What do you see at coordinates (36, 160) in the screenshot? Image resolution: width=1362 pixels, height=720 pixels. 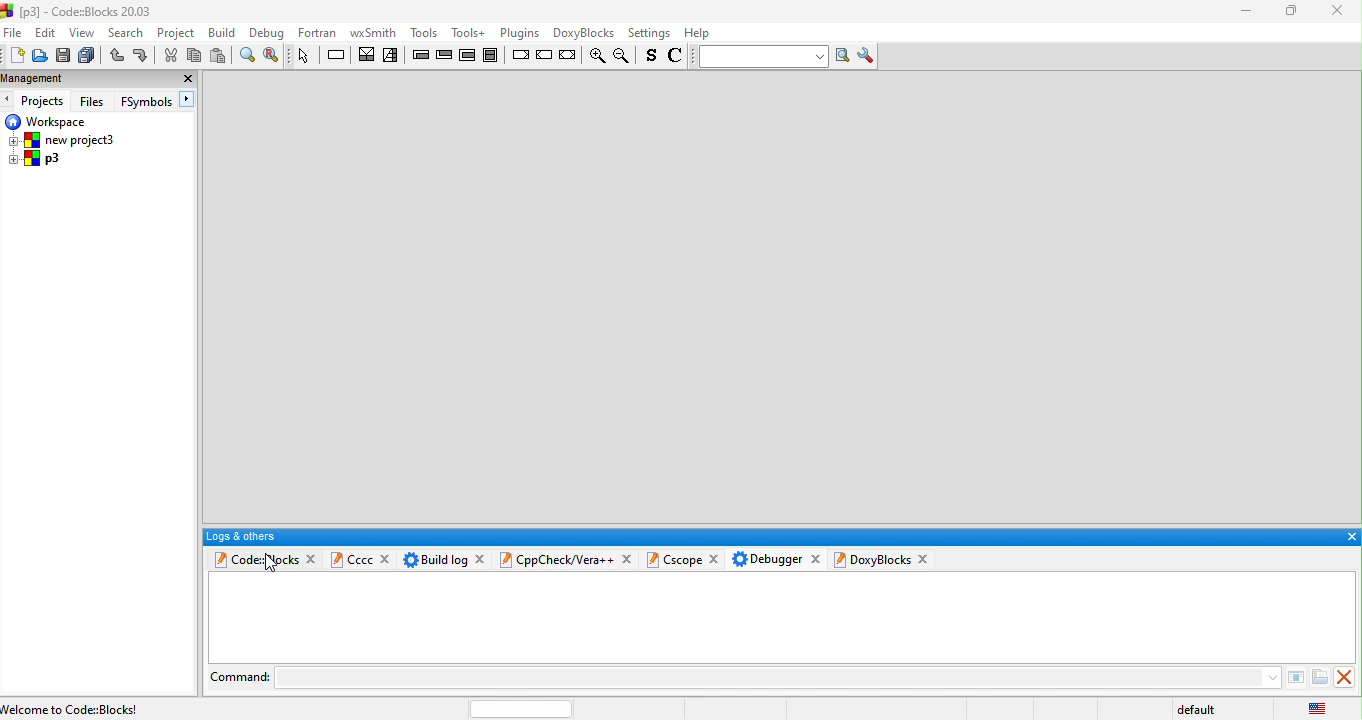 I see `p3` at bounding box center [36, 160].